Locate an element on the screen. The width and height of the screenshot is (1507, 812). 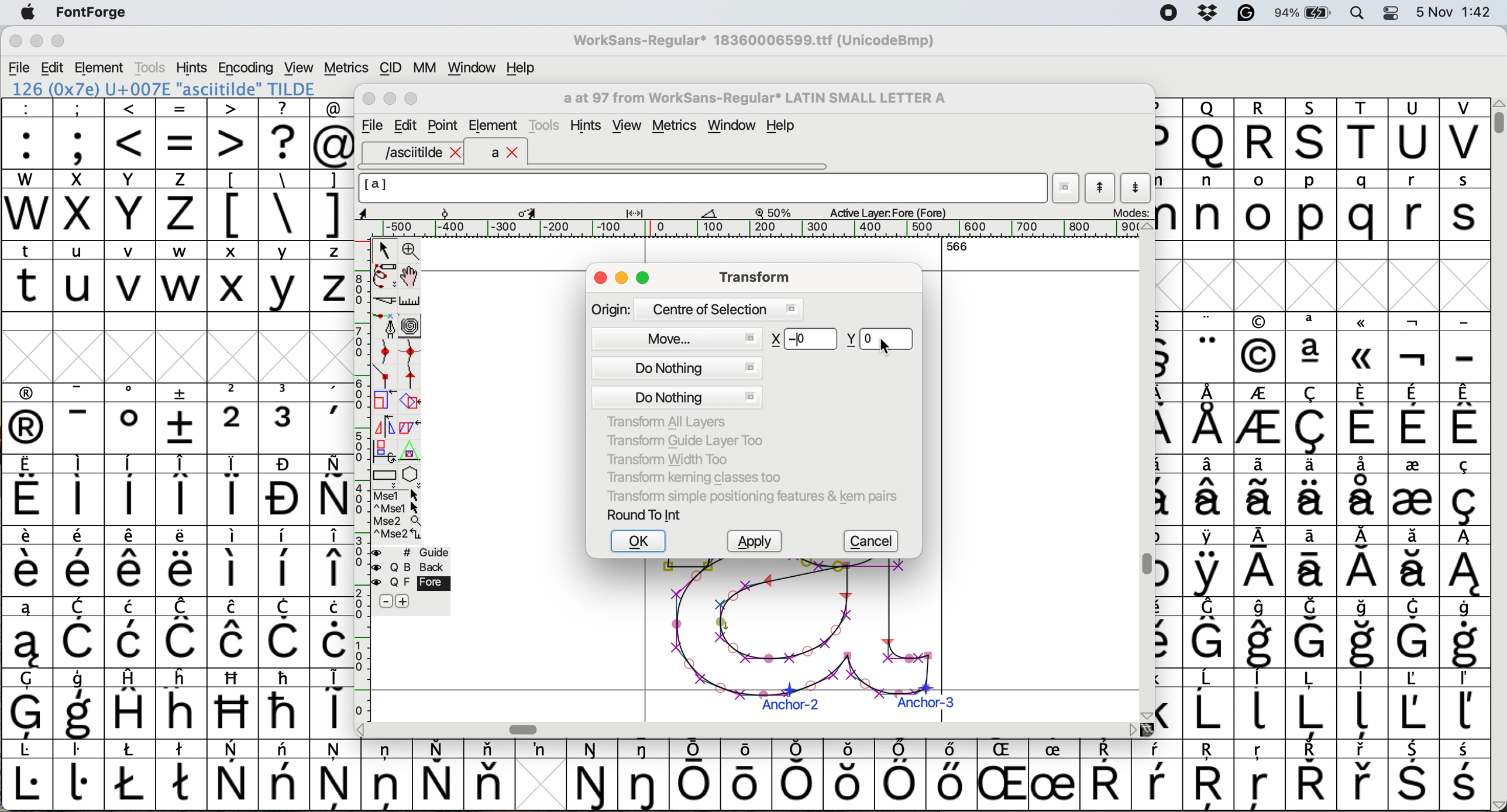
symbol is located at coordinates (79, 774).